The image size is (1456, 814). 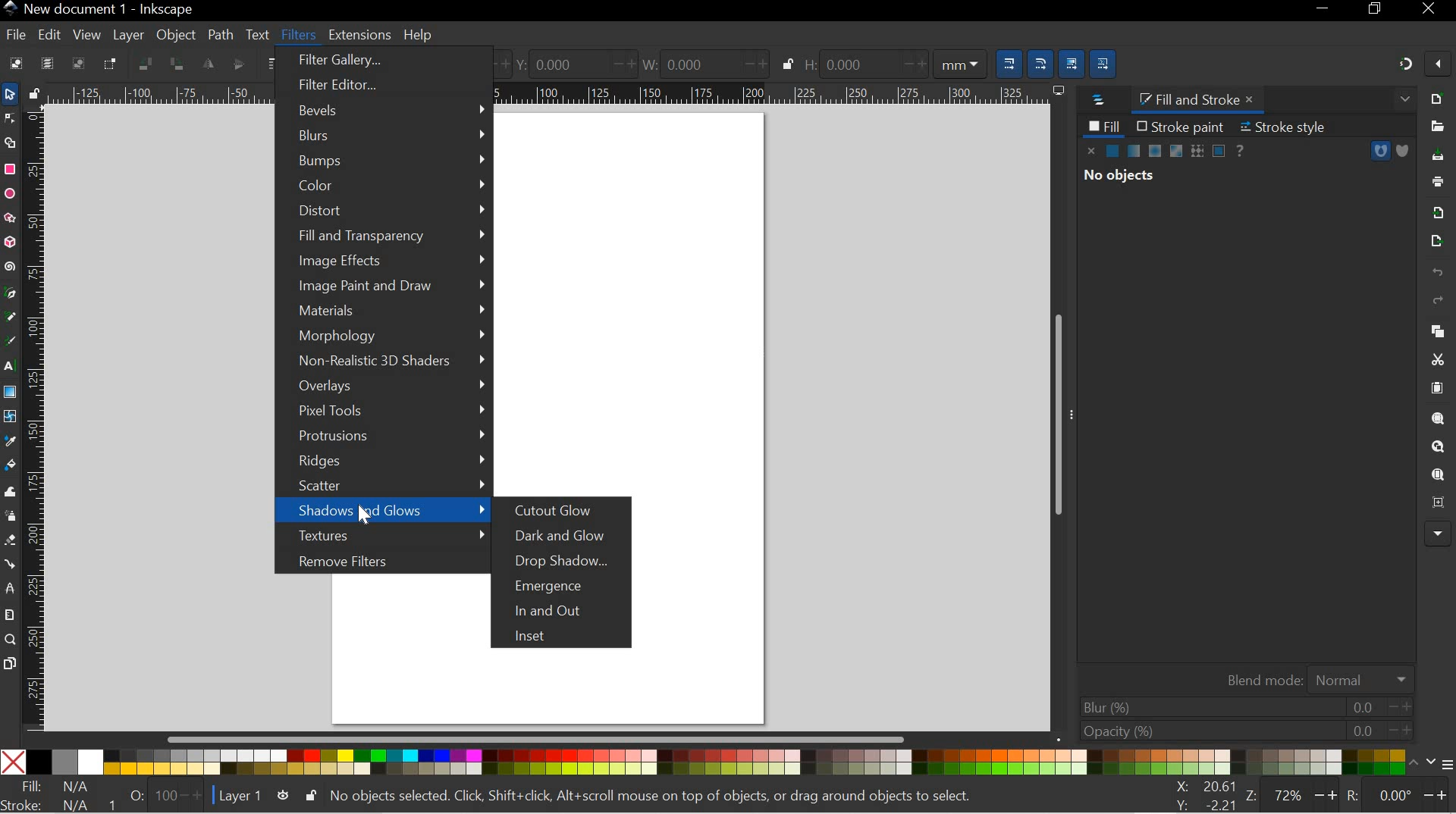 I want to click on IMAGE EFFECTS, so click(x=388, y=261).